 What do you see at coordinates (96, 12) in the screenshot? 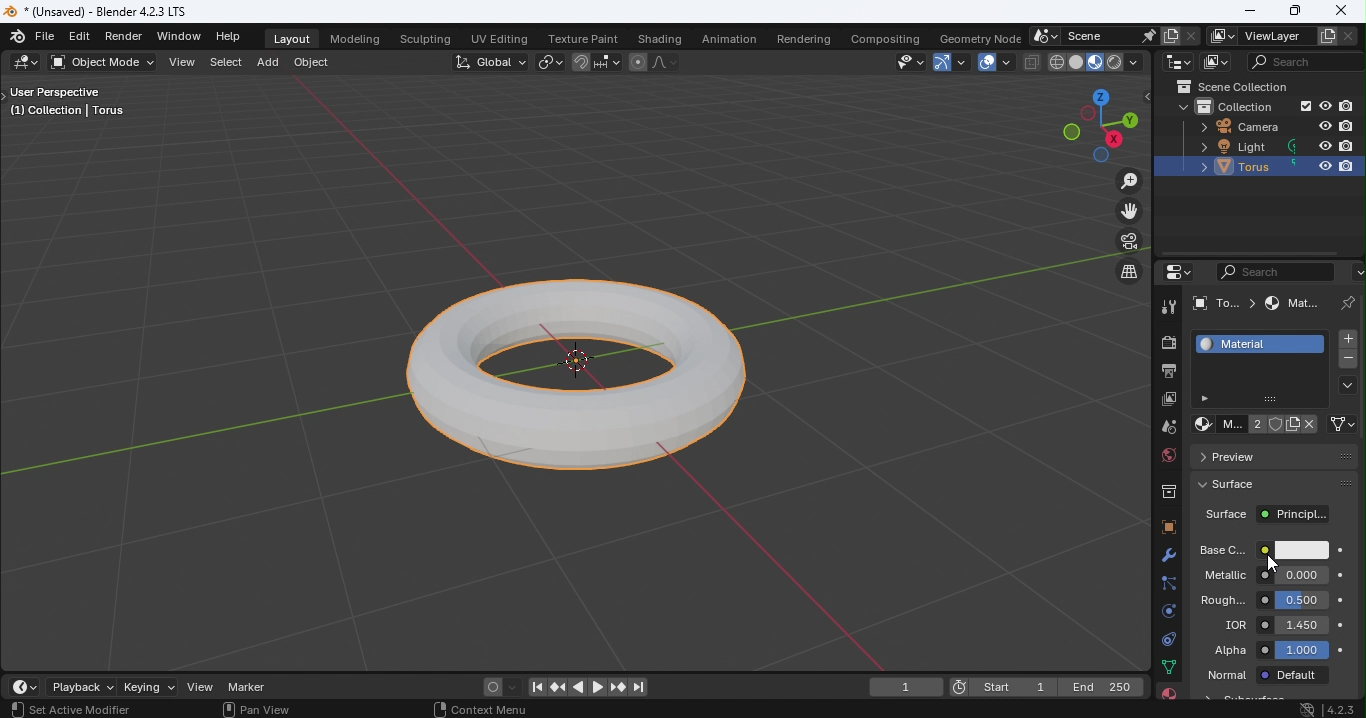
I see `*(Unsaved) - Blender 4.2.3 LTS` at bounding box center [96, 12].